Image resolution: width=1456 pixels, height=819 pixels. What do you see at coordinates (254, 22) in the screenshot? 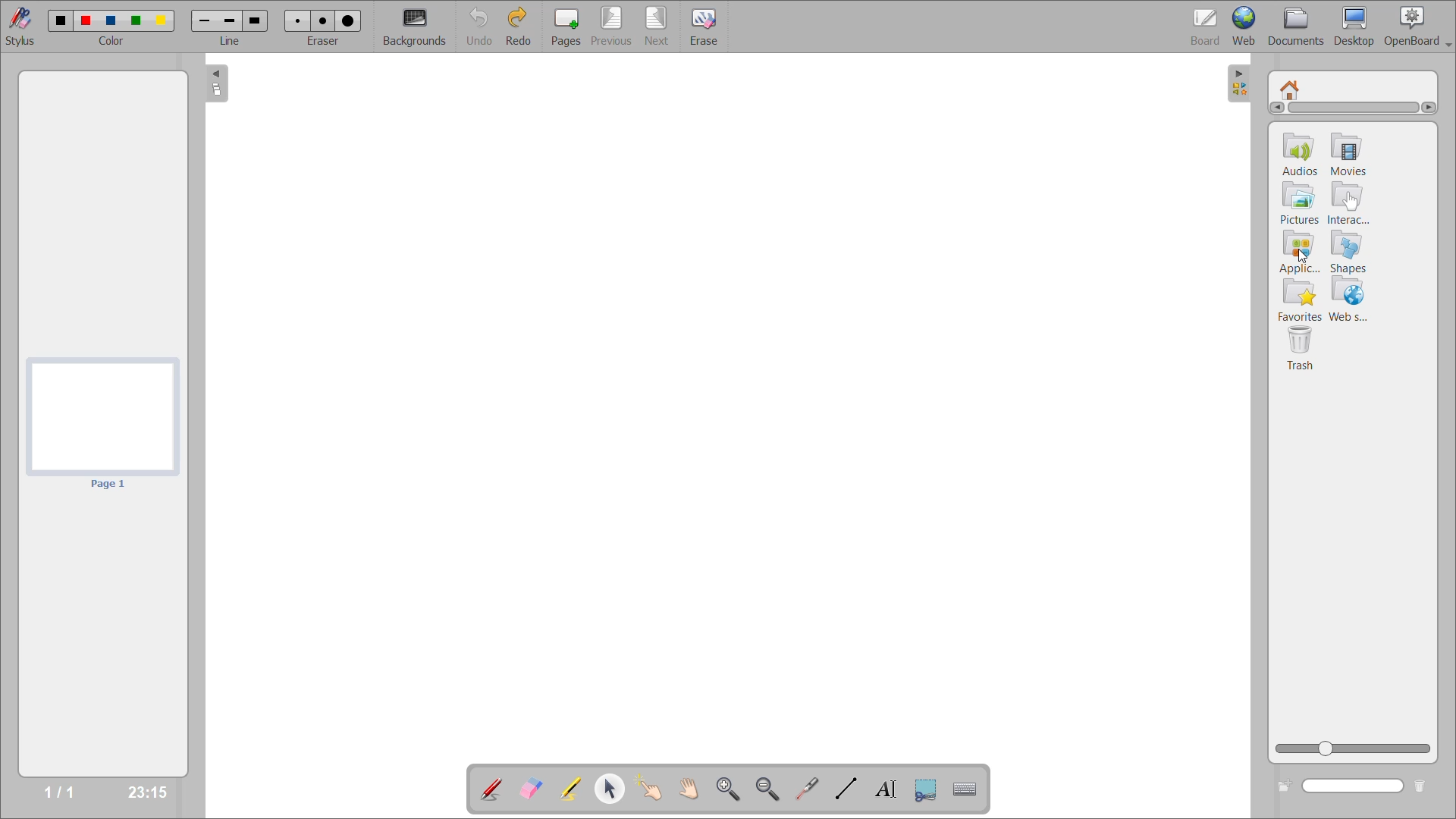
I see `line 3` at bounding box center [254, 22].